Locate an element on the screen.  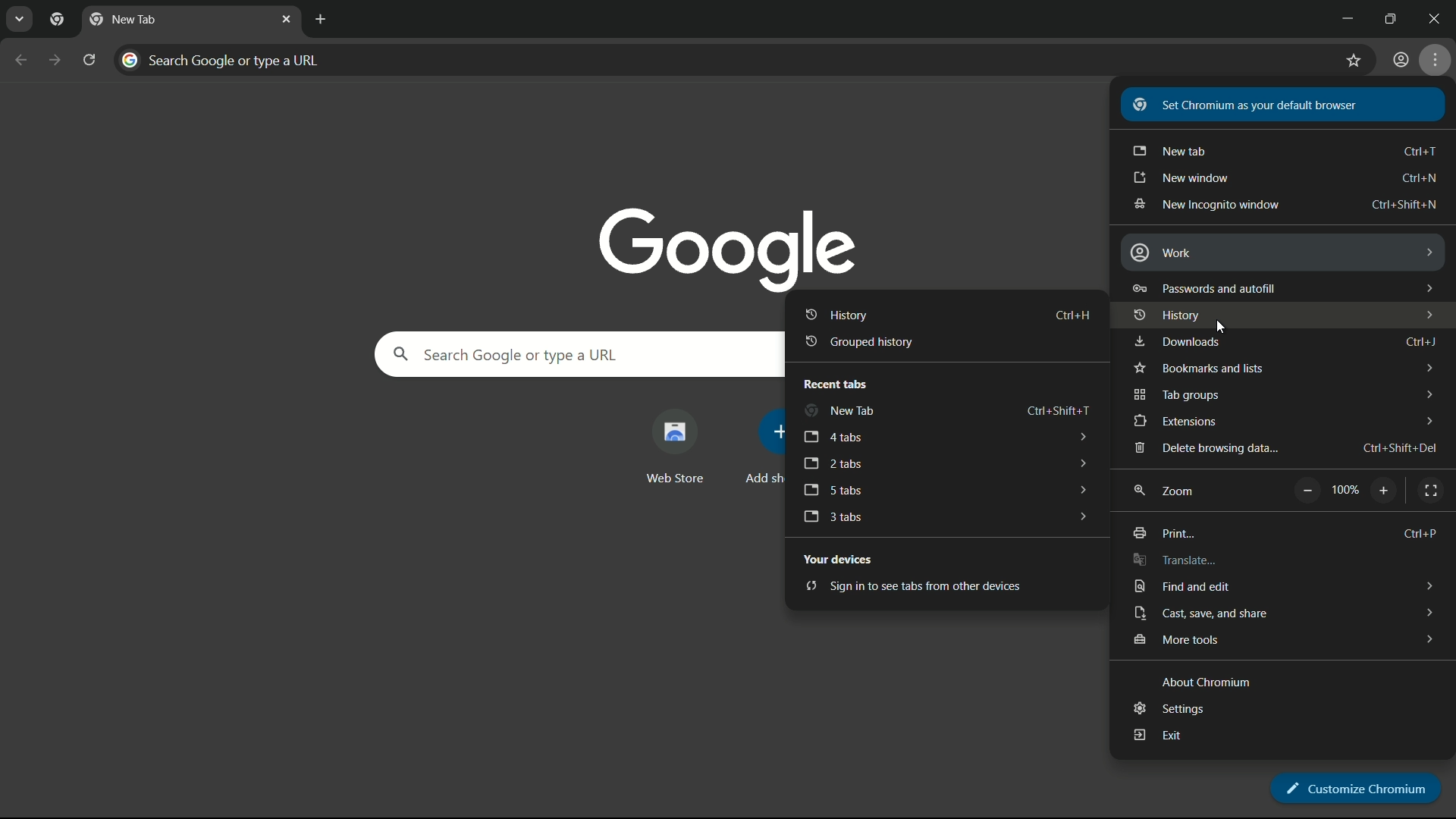
search google or type a url is located at coordinates (684, 60).